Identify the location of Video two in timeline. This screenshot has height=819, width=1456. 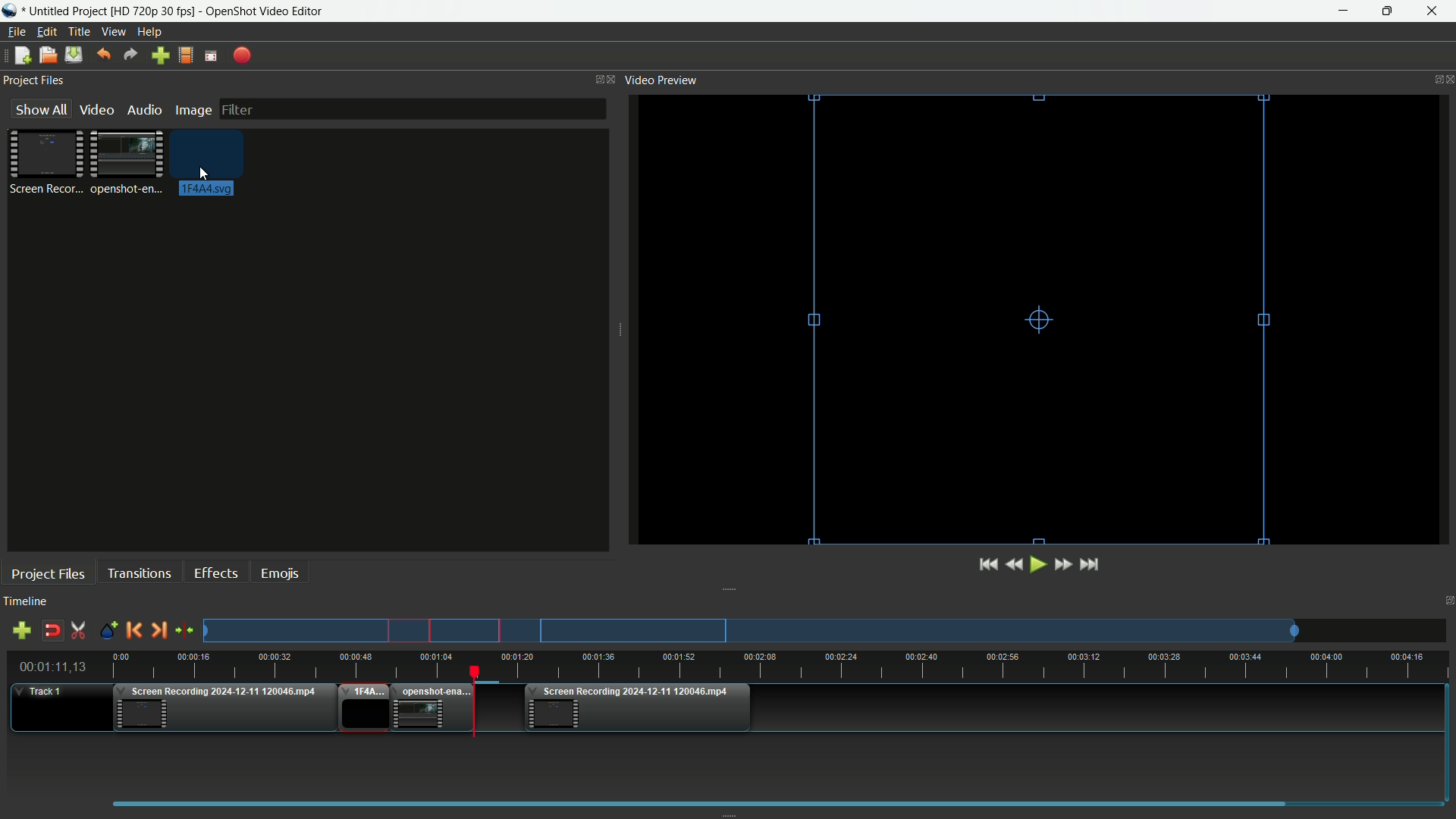
(431, 708).